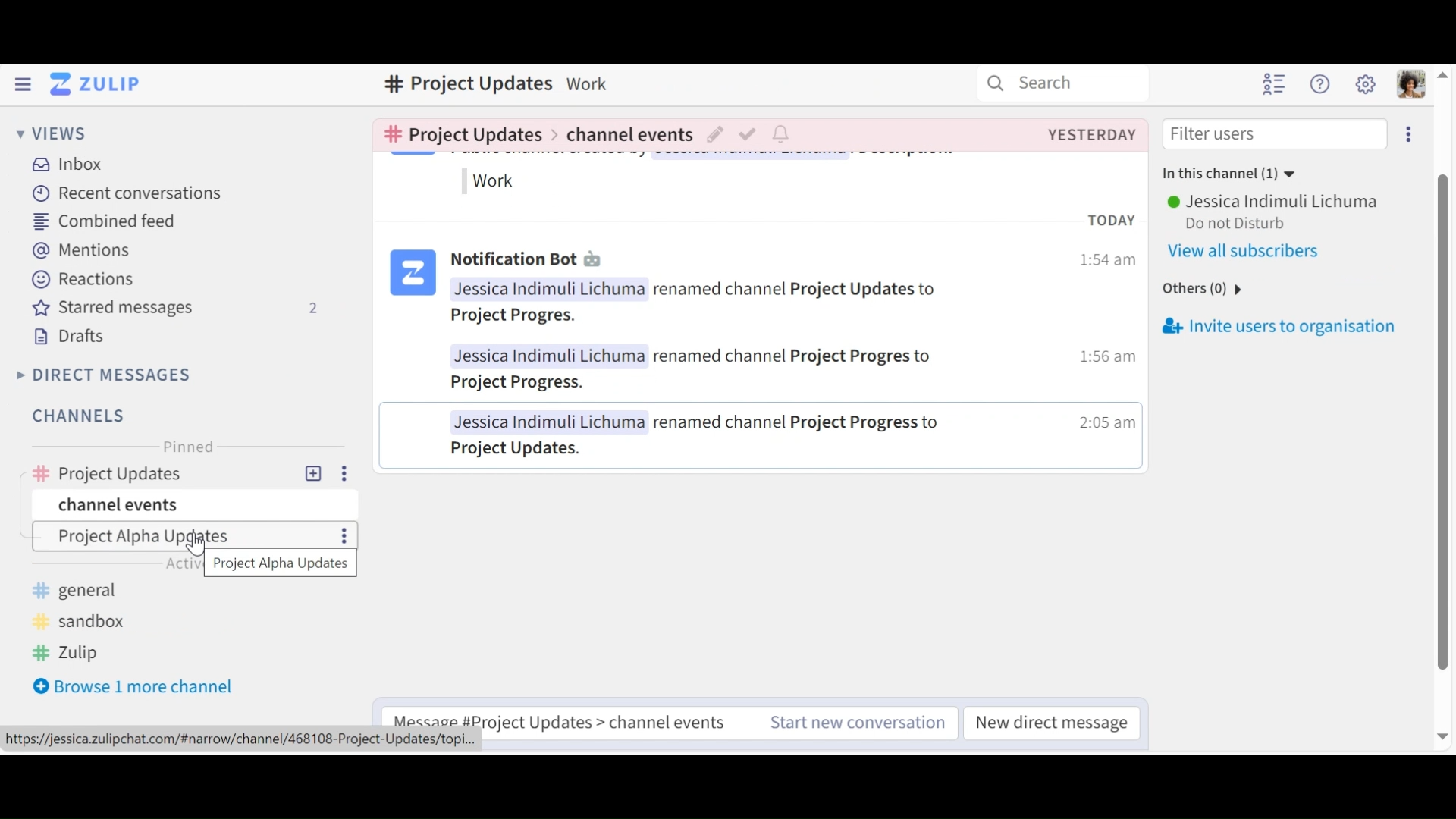 Image resolution: width=1456 pixels, height=819 pixels. I want to click on  Jessica Inaimuli Lichuma renamed channel Project Updates toProject Progres., so click(695, 304).